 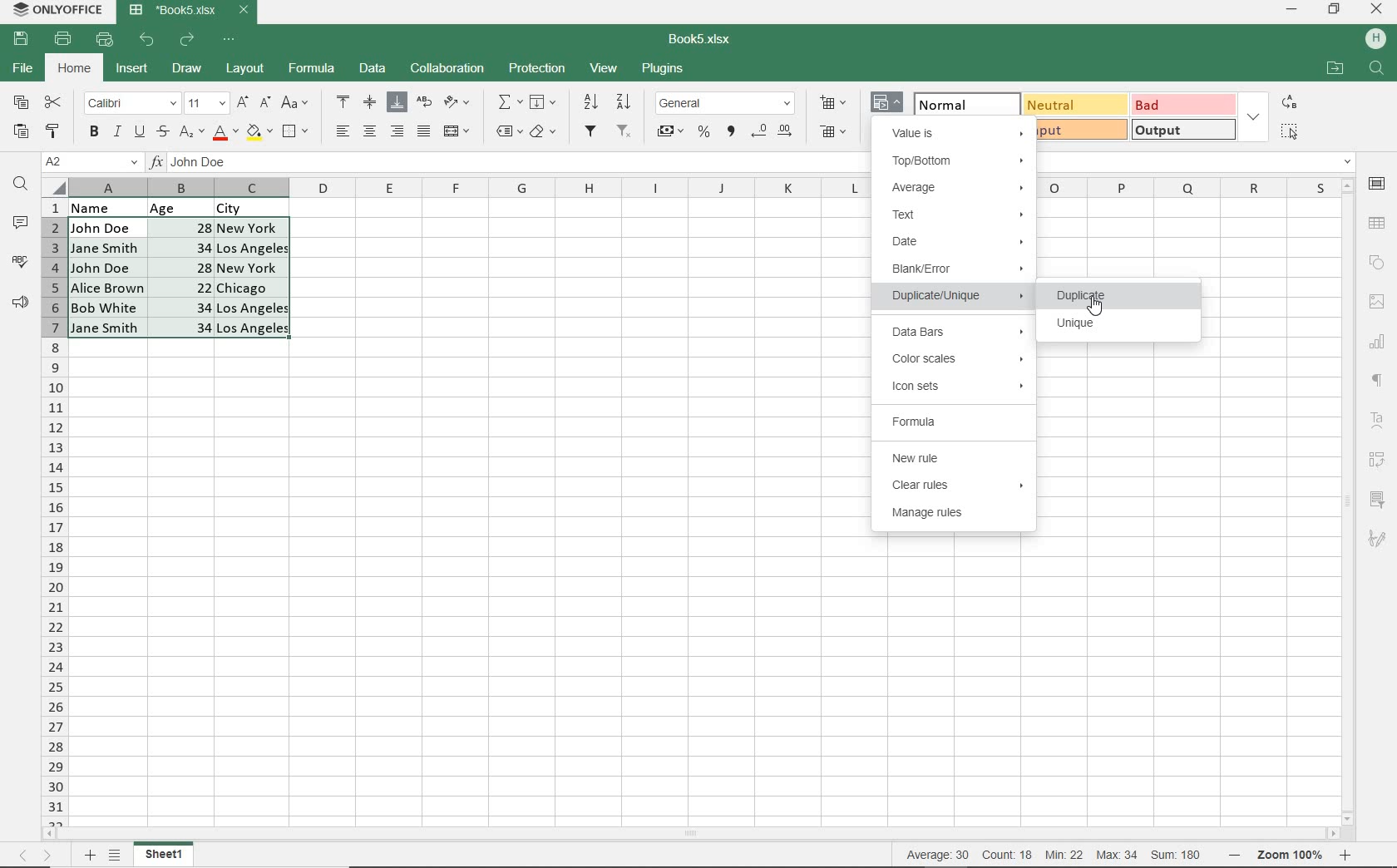 What do you see at coordinates (703, 132) in the screenshot?
I see `PERCENT STYLE` at bounding box center [703, 132].